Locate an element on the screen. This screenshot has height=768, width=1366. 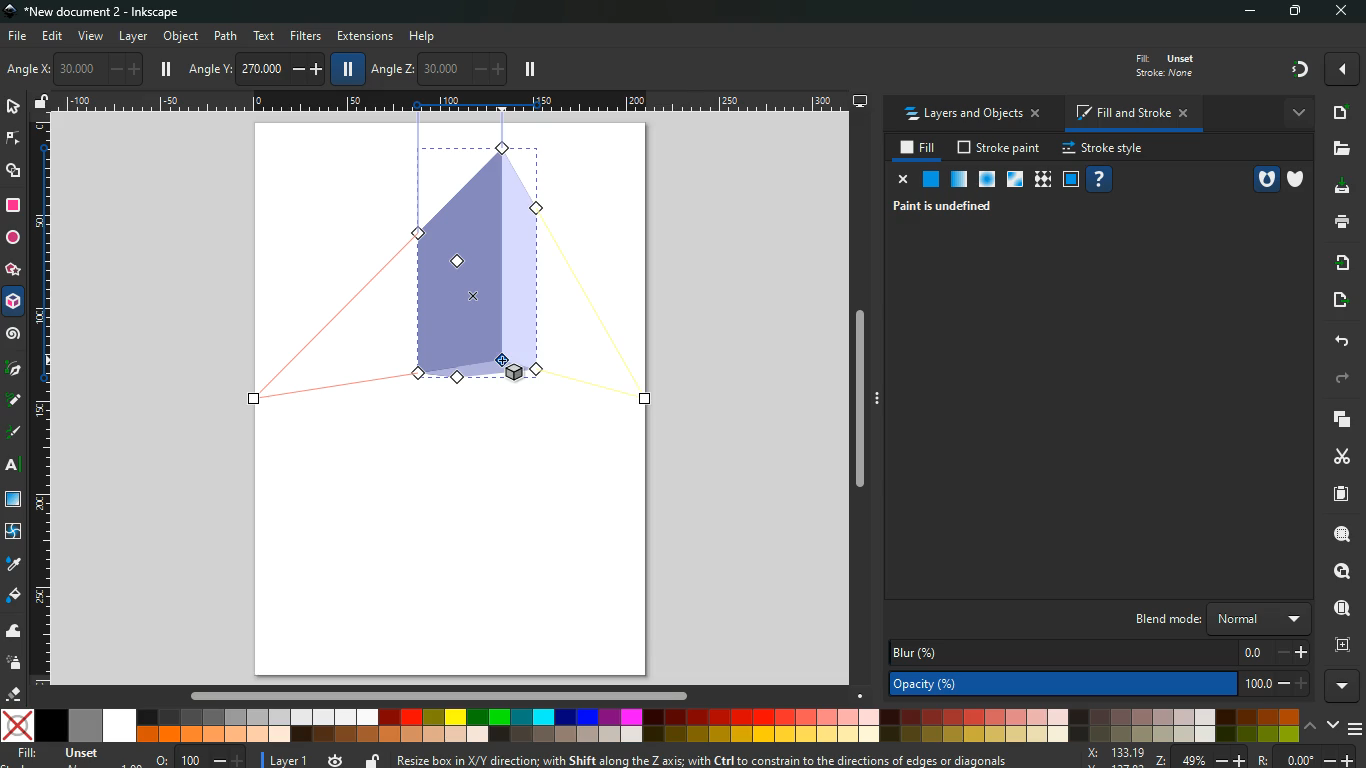
layer 1 is located at coordinates (290, 757).